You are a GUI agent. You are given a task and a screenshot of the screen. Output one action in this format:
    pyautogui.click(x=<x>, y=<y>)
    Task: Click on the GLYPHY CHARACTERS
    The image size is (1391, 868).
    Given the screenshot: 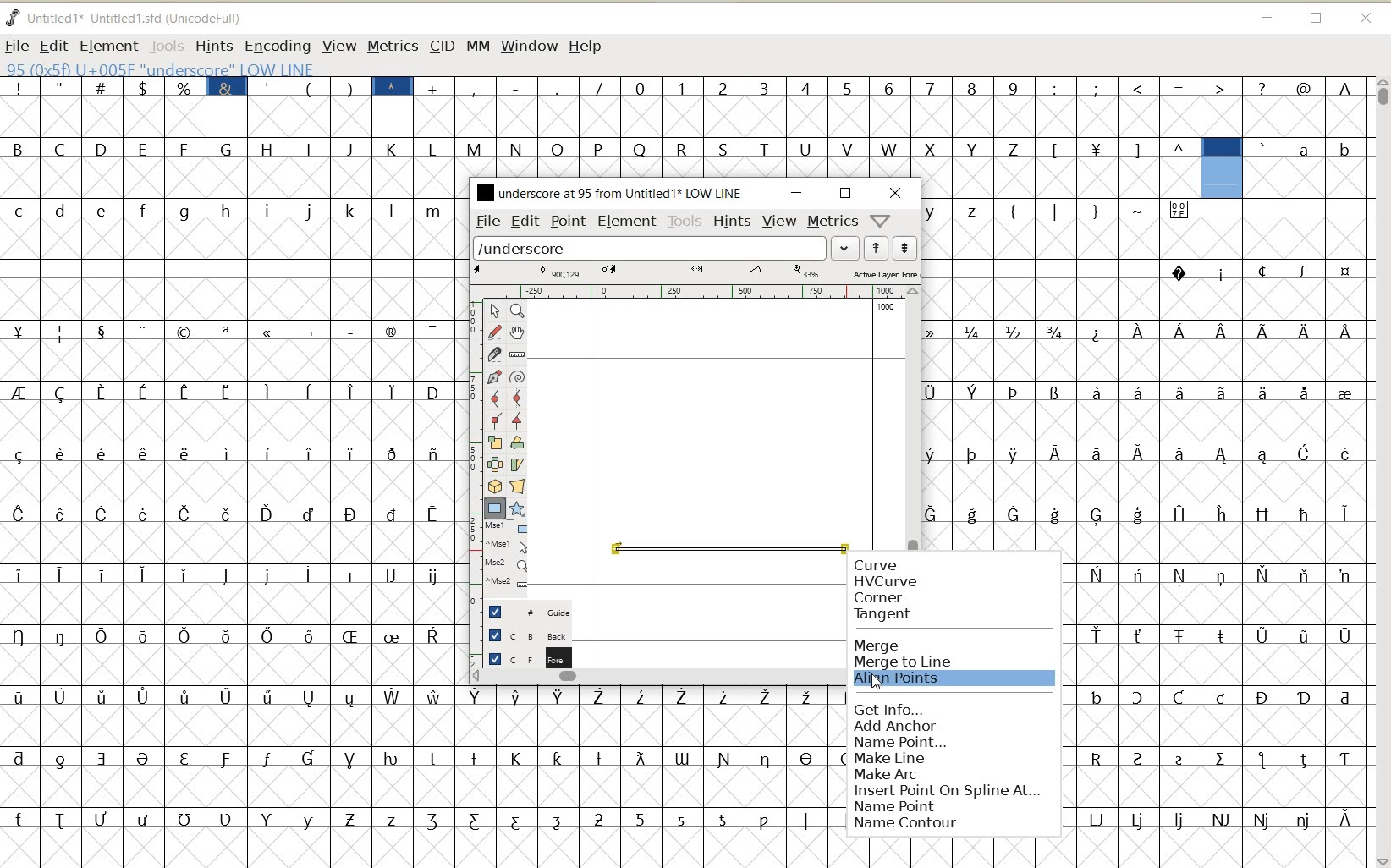 What is the action you would take?
    pyautogui.click(x=229, y=461)
    